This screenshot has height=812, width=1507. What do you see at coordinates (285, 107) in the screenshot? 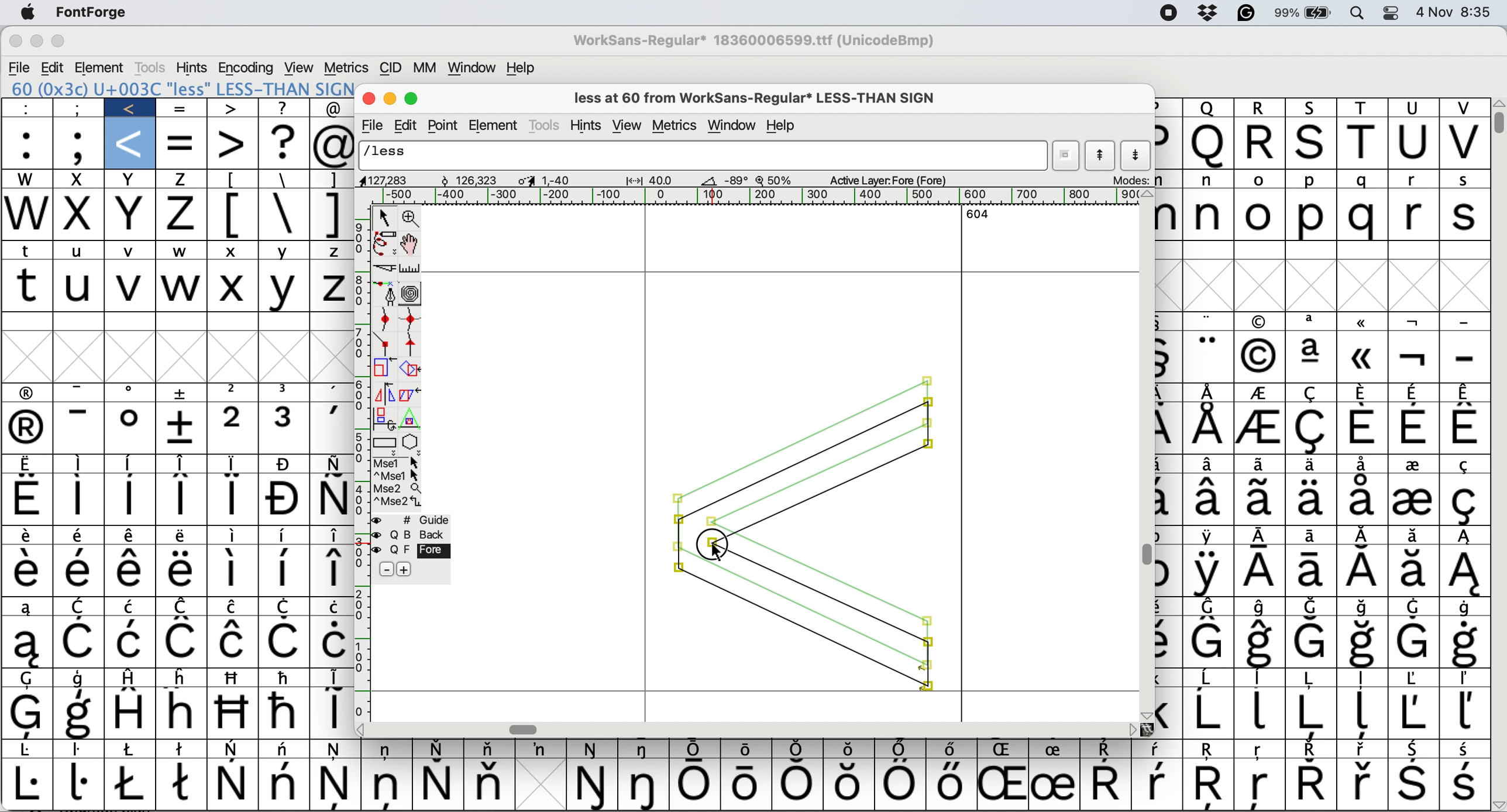
I see `?` at bounding box center [285, 107].